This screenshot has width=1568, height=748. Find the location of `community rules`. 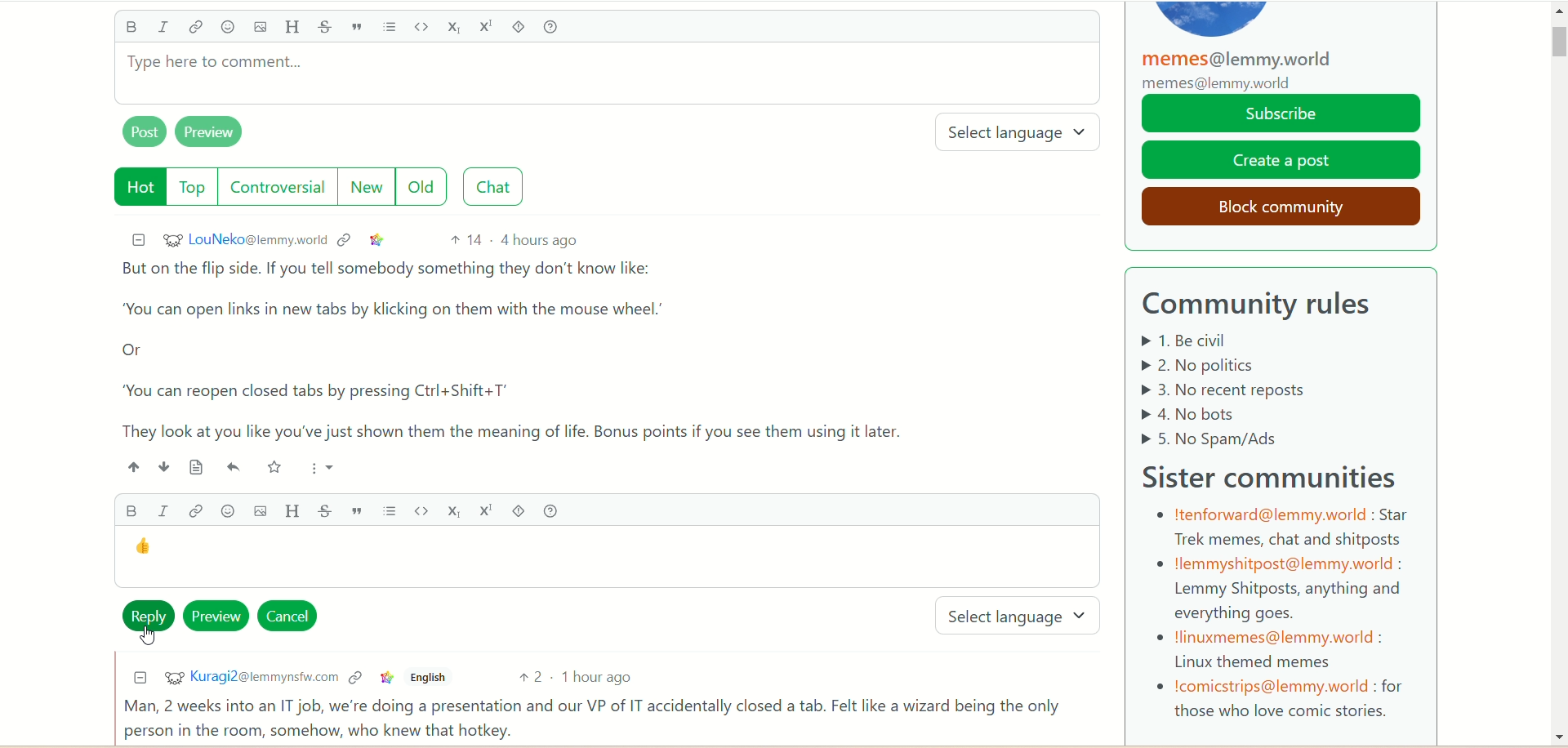

community rules is located at coordinates (1268, 305).